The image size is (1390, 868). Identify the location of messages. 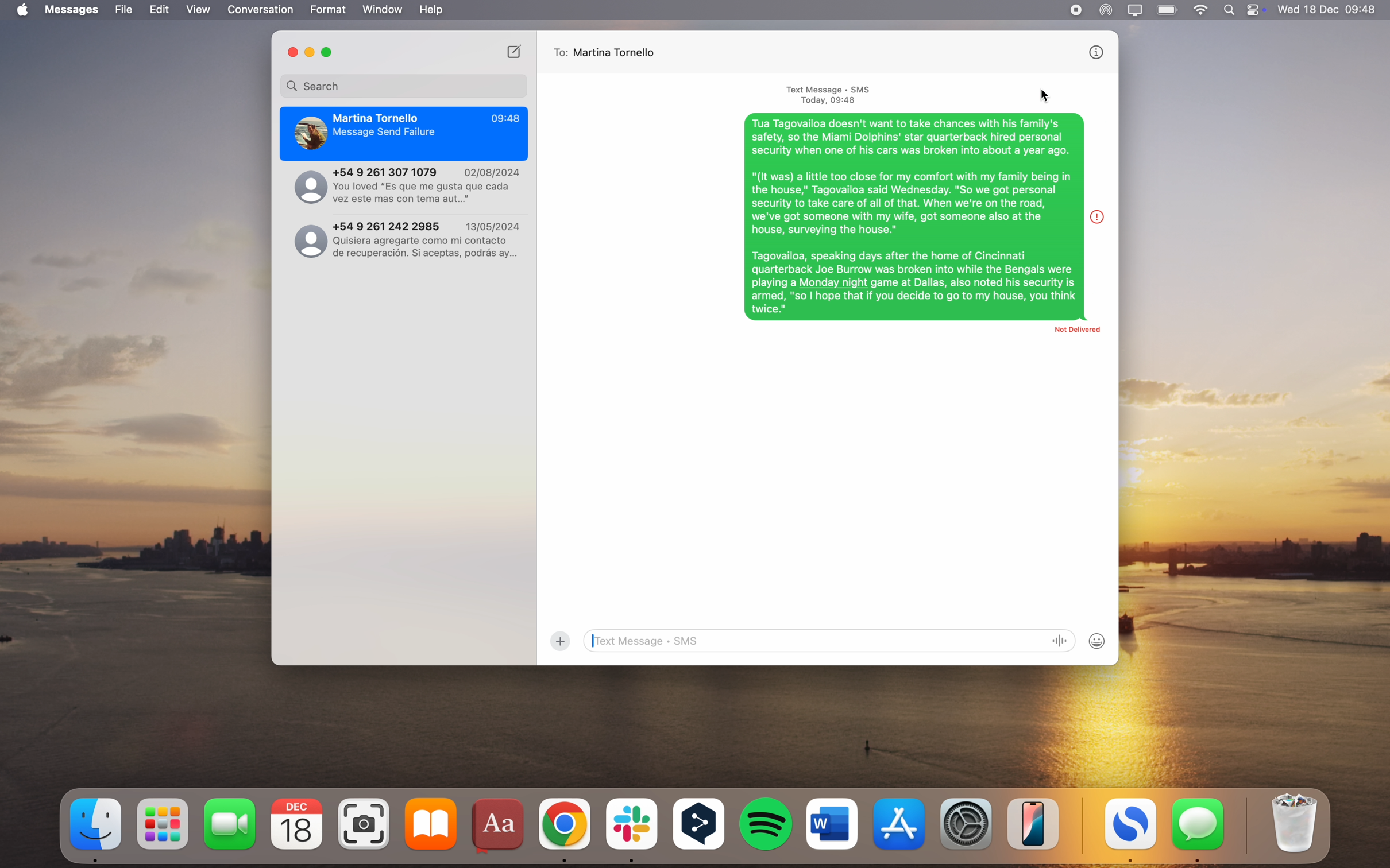
(74, 10).